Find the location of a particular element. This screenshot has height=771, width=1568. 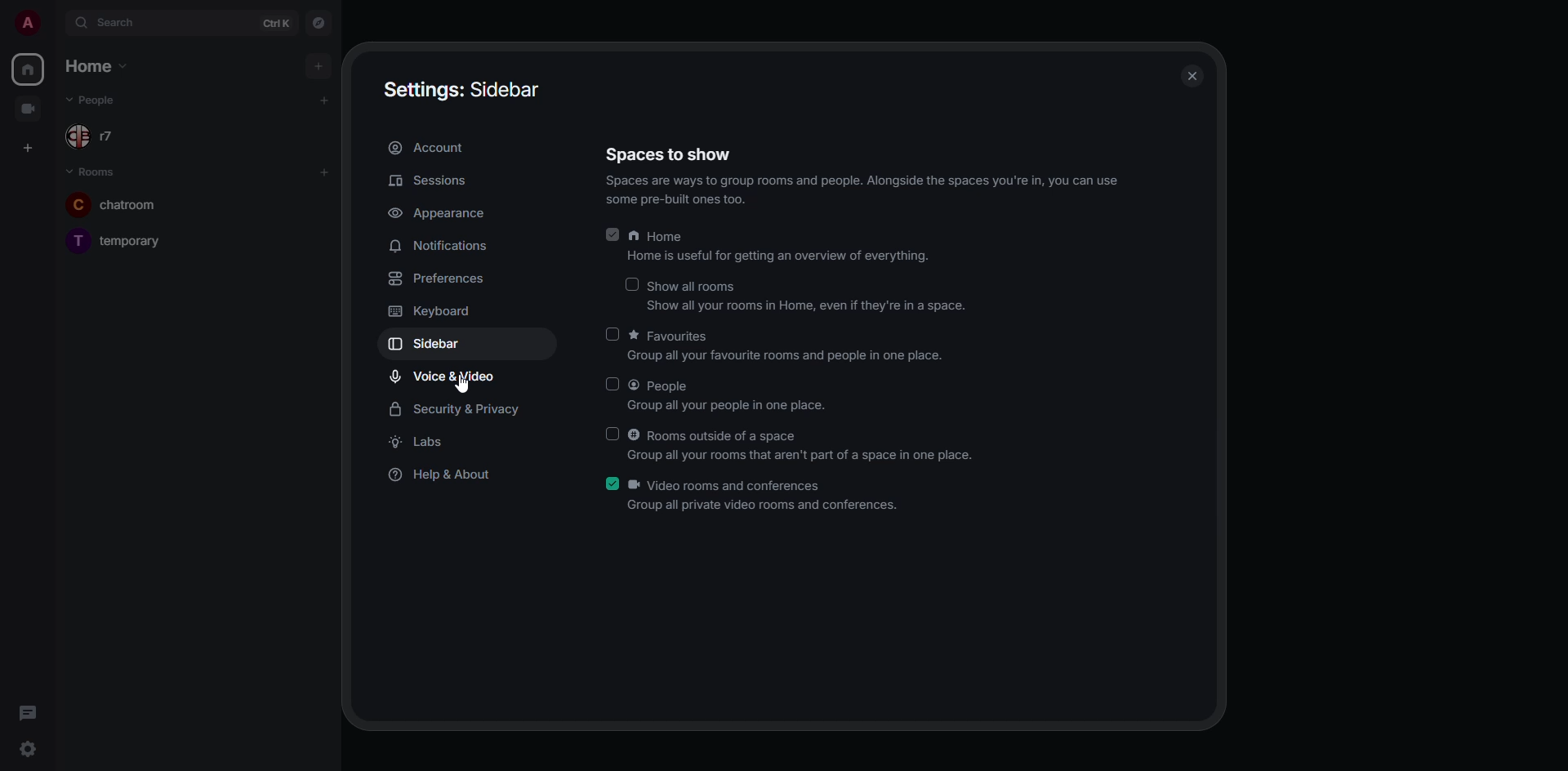

click to enable is located at coordinates (614, 432).